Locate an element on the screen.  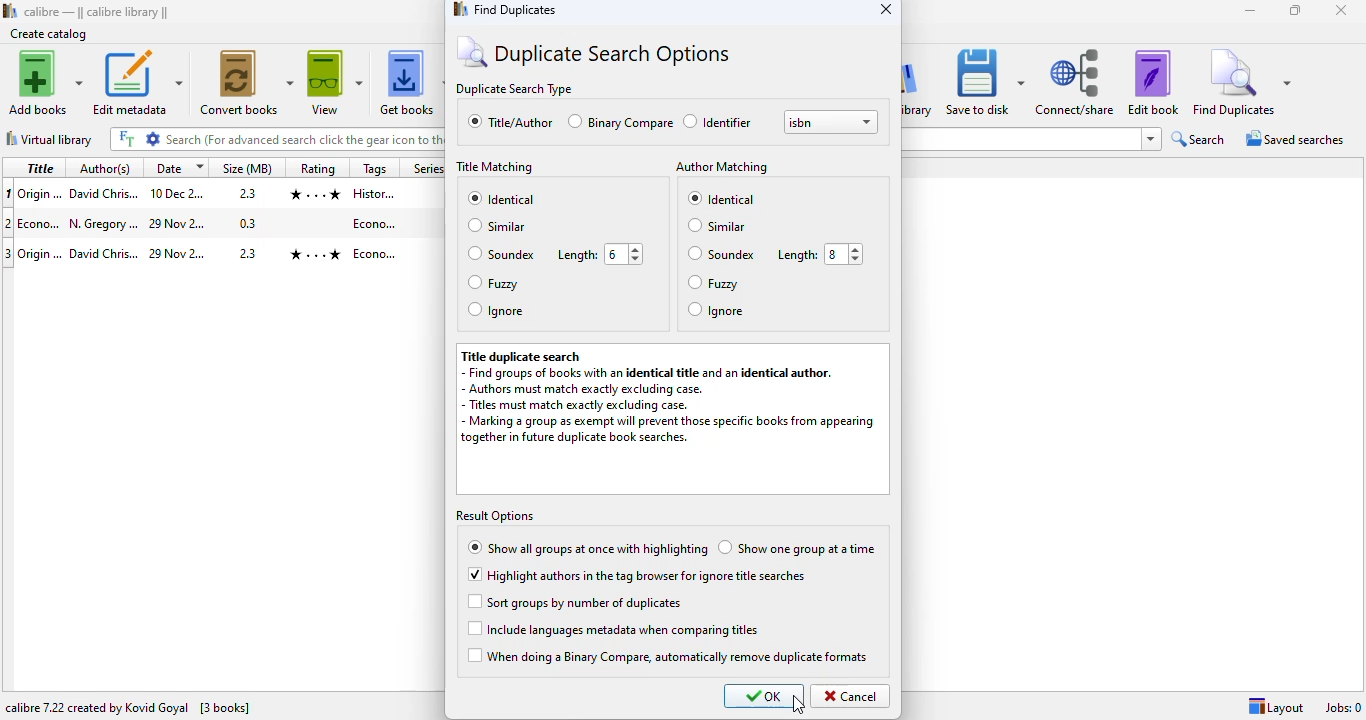
logo is located at coordinates (9, 11).